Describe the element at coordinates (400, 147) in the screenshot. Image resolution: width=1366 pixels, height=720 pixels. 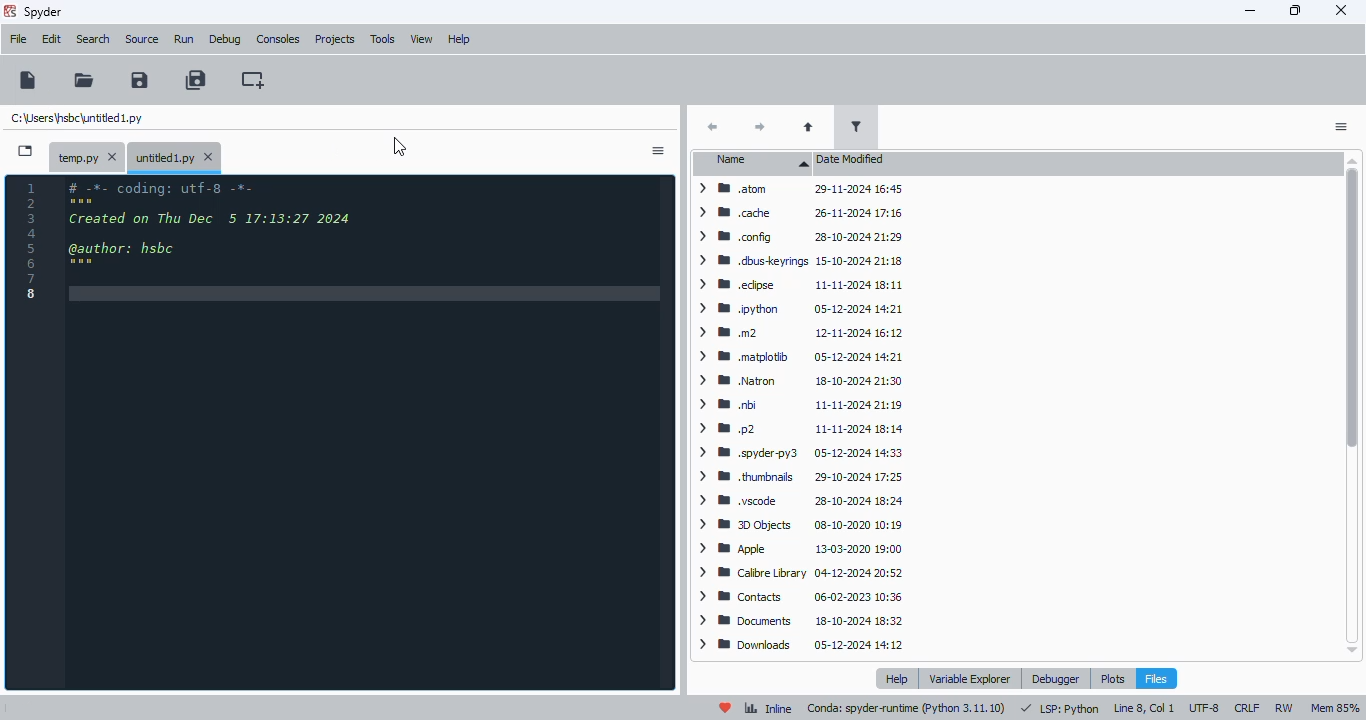
I see `cursor` at that location.